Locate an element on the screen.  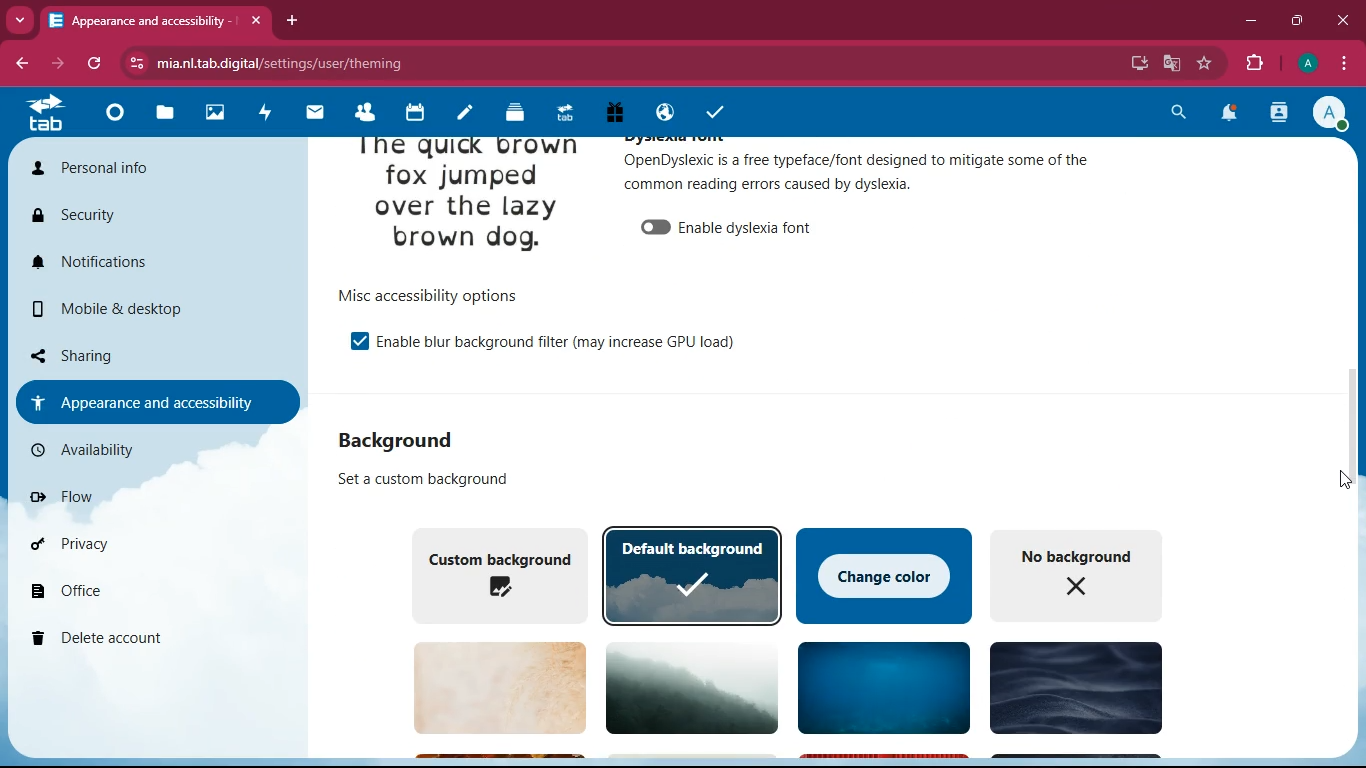
friends is located at coordinates (362, 113).